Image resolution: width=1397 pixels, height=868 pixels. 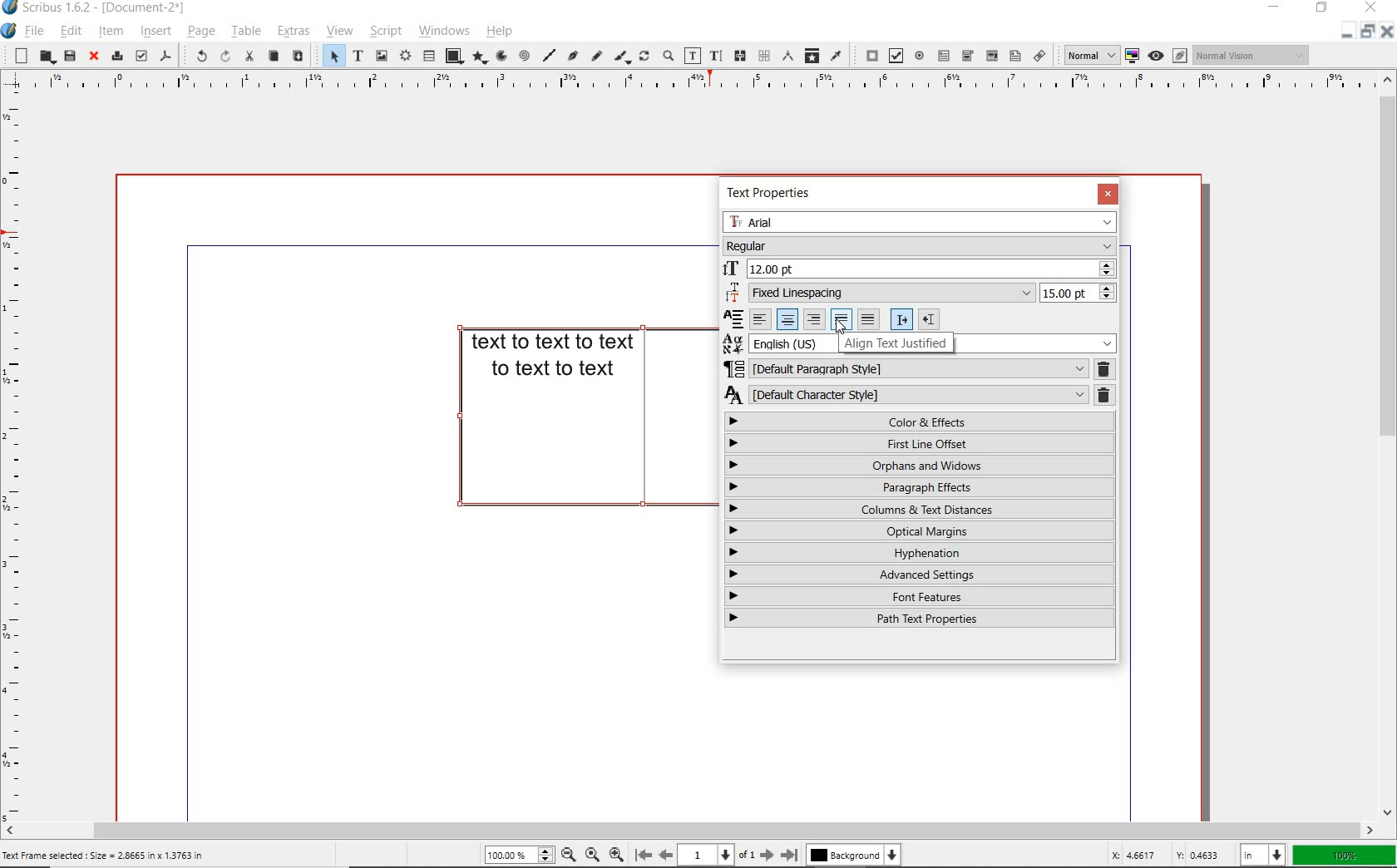 What do you see at coordinates (1014, 55) in the screenshot?
I see `pdf list box` at bounding box center [1014, 55].